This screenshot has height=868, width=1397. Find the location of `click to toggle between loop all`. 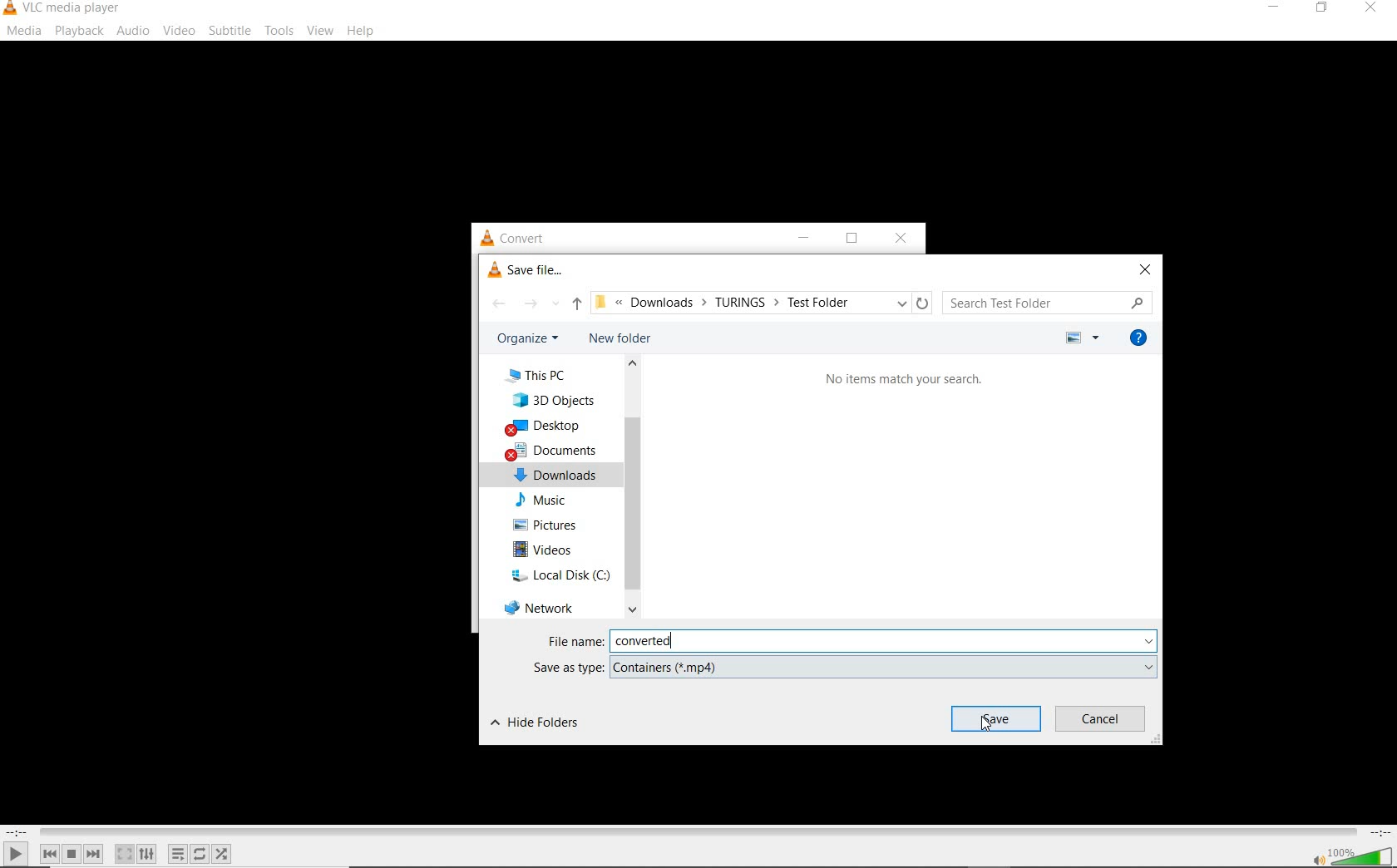

click to toggle between loop all is located at coordinates (200, 853).